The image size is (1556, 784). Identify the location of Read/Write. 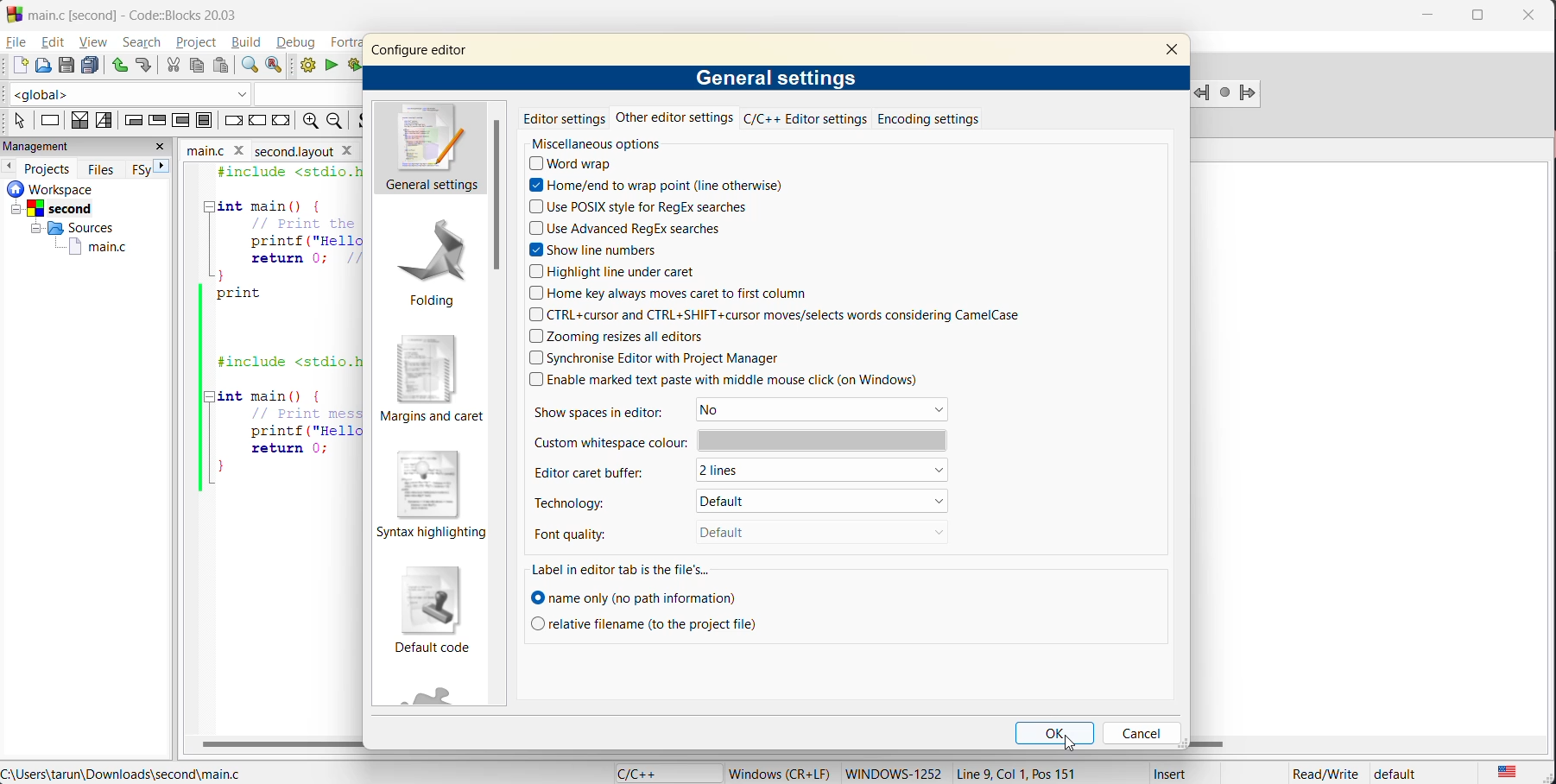
(1325, 773).